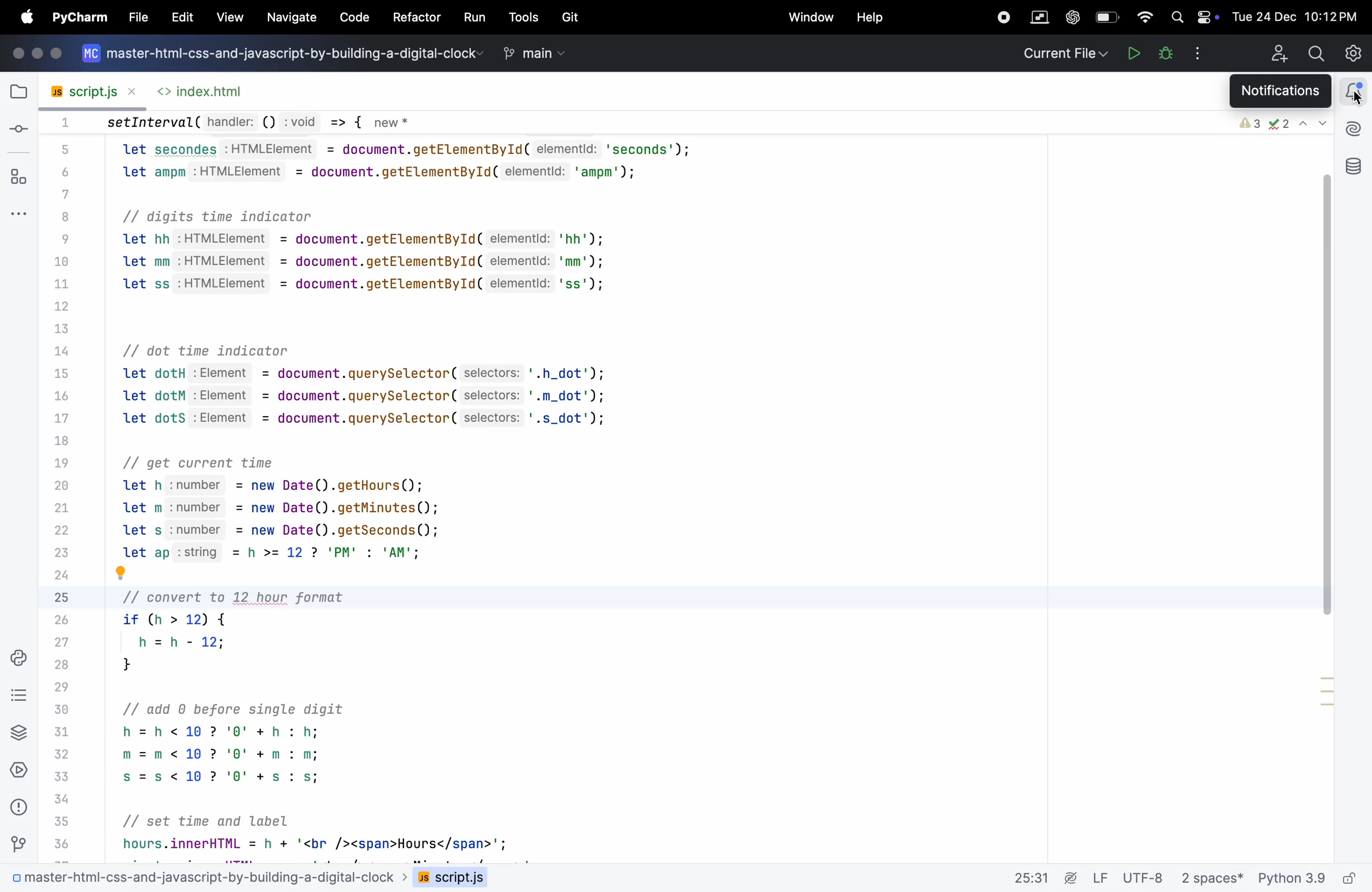  What do you see at coordinates (1312, 879) in the screenshot?
I see `python 3.9` at bounding box center [1312, 879].